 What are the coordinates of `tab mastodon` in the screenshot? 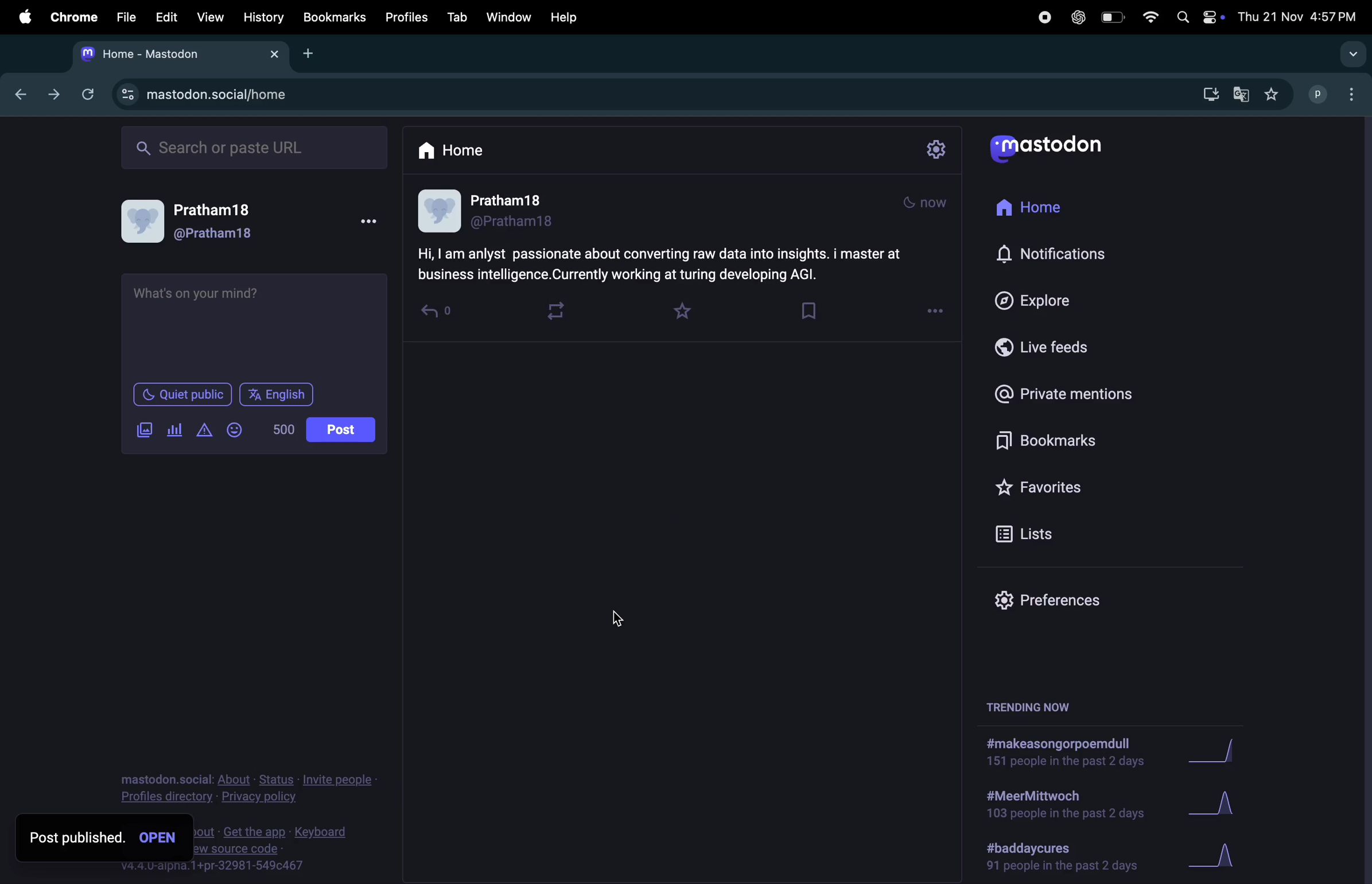 It's located at (180, 55).